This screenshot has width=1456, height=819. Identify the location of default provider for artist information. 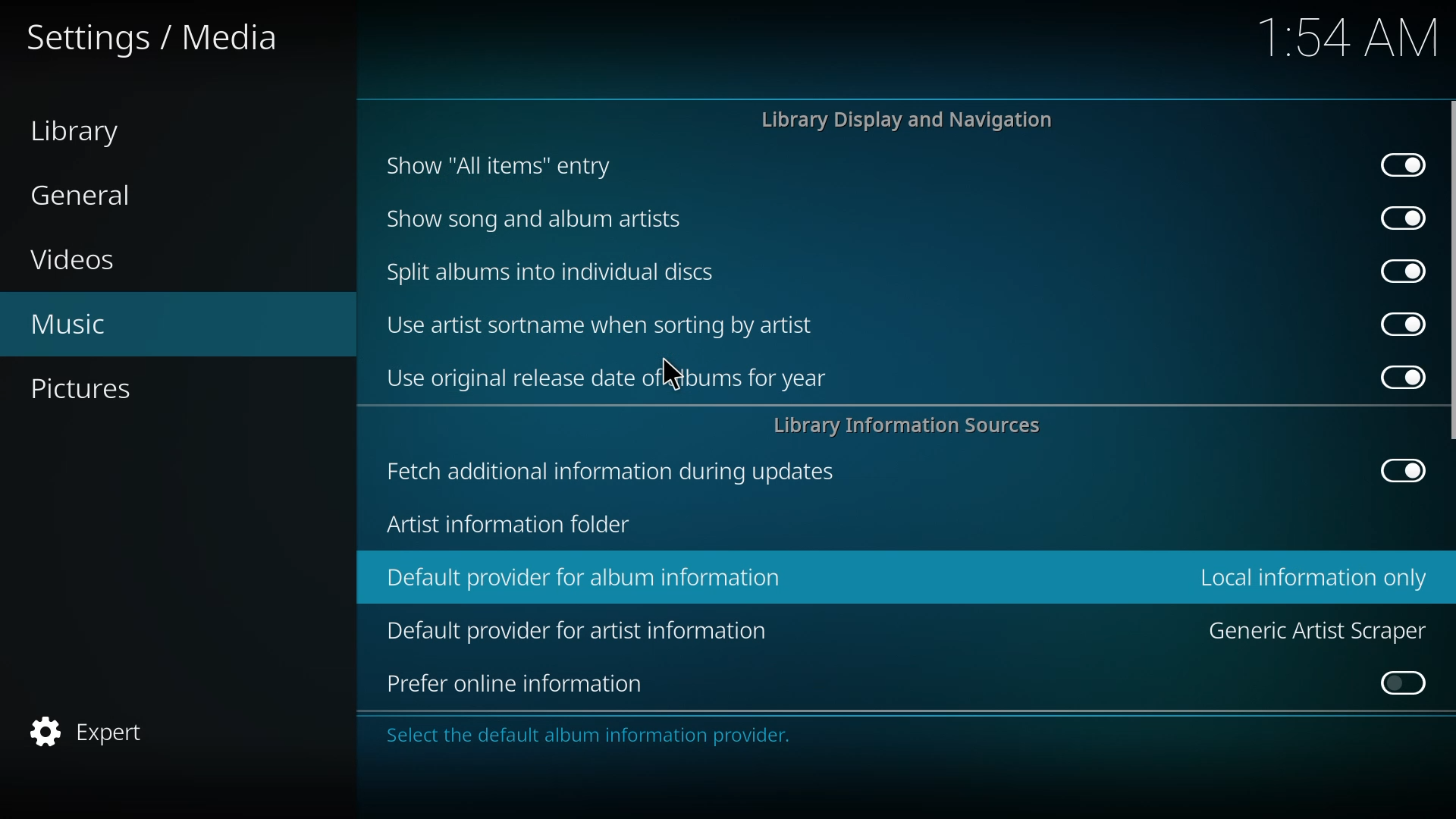
(579, 631).